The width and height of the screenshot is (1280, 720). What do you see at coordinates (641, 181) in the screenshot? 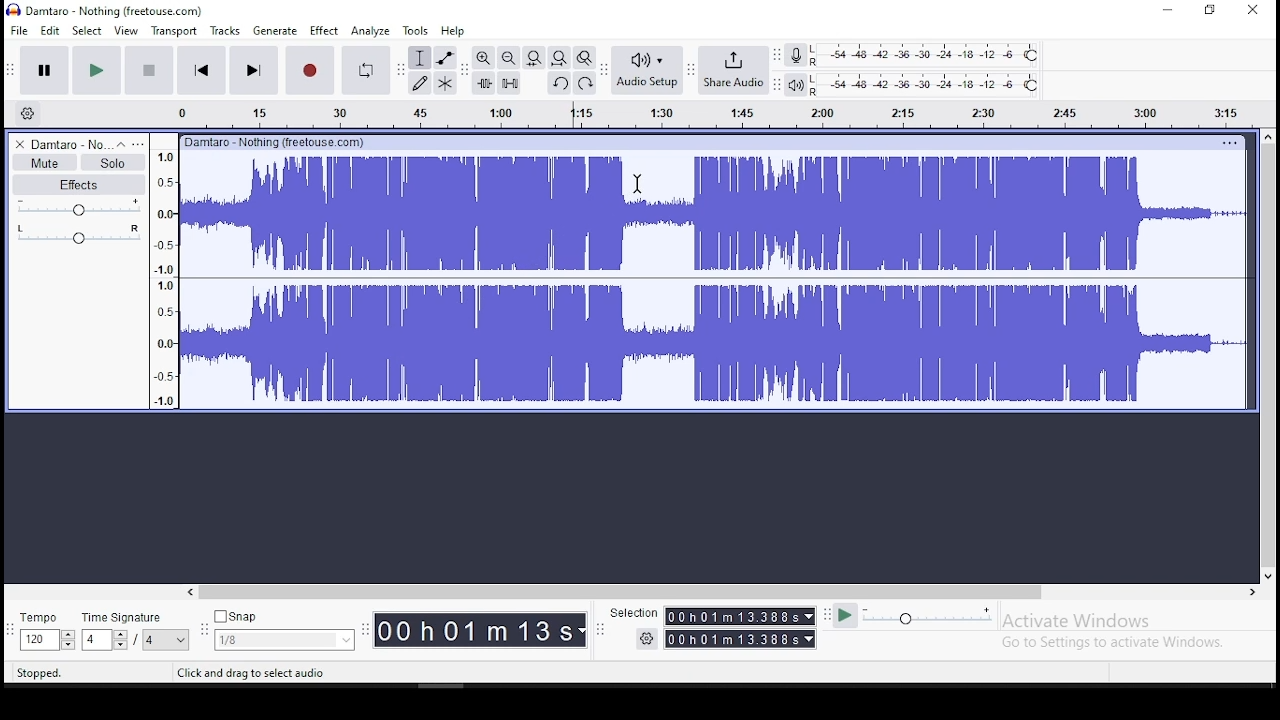
I see `cursor` at bounding box center [641, 181].